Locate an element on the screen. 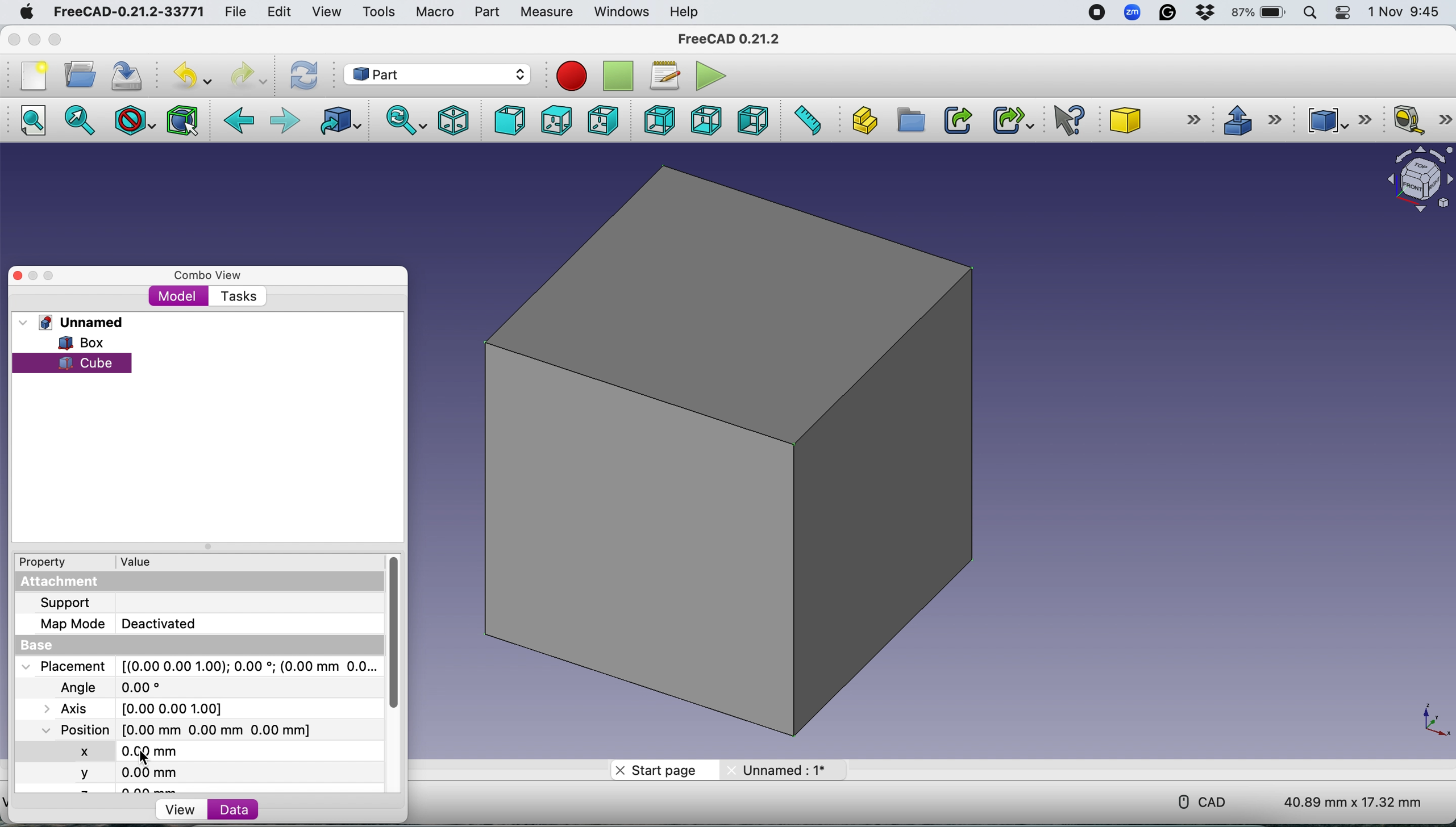  Position [0.00 mm 0.00 mm 0.00 mm] is located at coordinates (173, 729).